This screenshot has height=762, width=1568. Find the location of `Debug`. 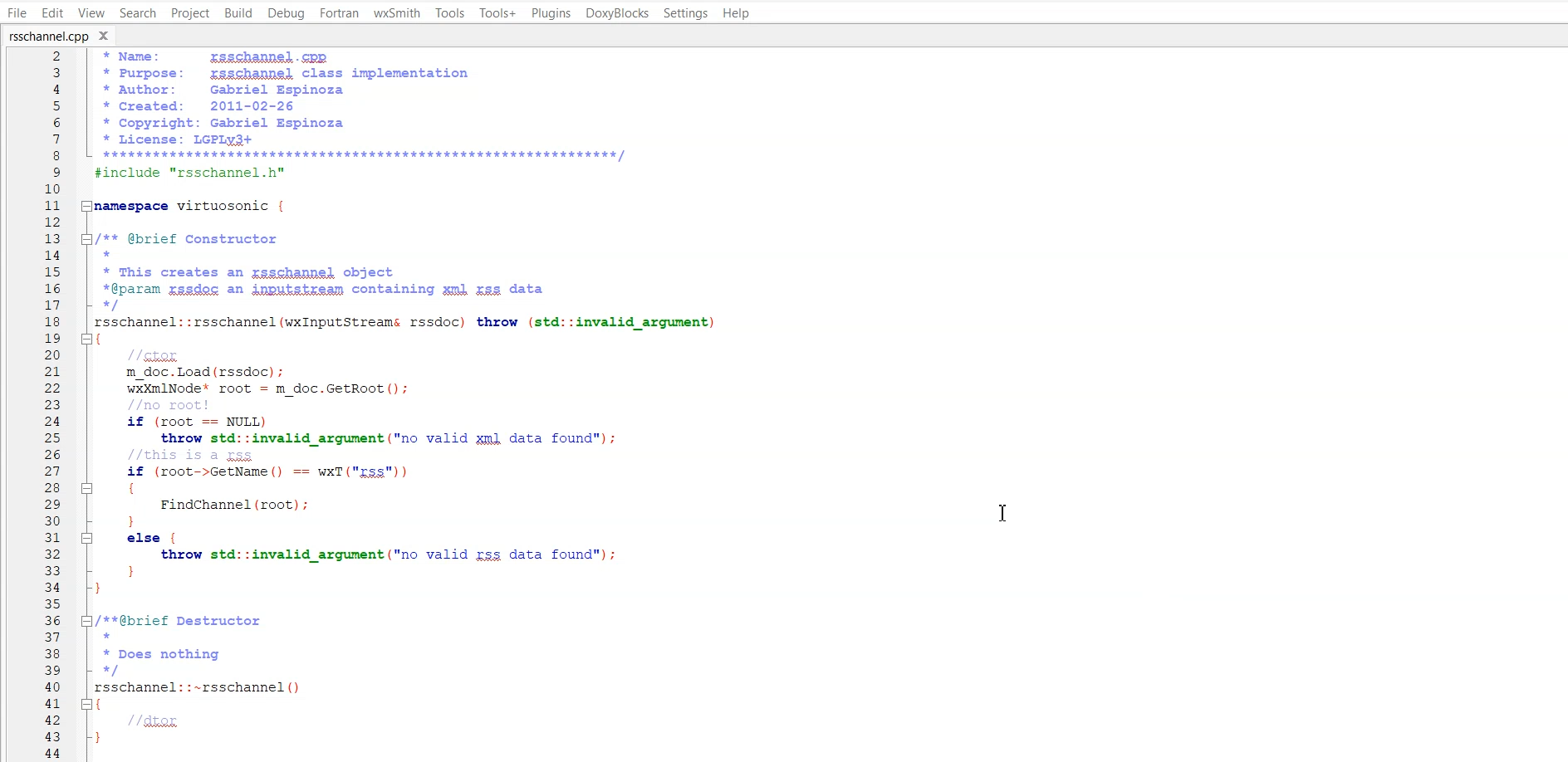

Debug is located at coordinates (287, 12).